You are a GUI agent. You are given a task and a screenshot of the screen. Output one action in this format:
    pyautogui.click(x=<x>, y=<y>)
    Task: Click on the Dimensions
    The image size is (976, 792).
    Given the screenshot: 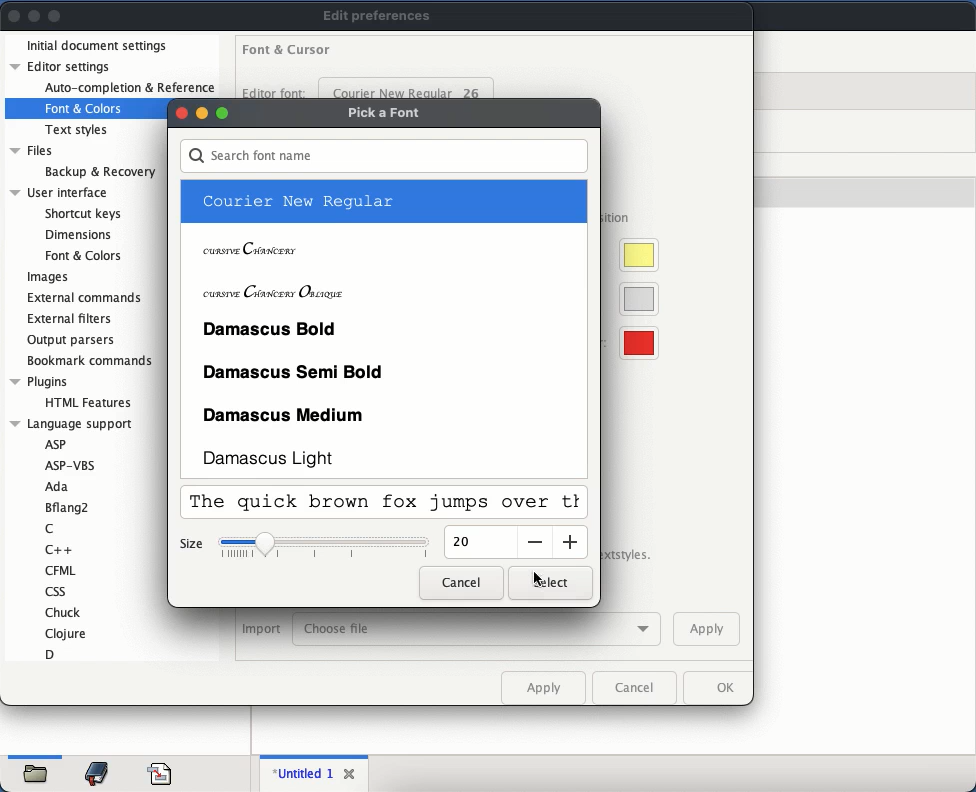 What is the action you would take?
    pyautogui.click(x=79, y=235)
    